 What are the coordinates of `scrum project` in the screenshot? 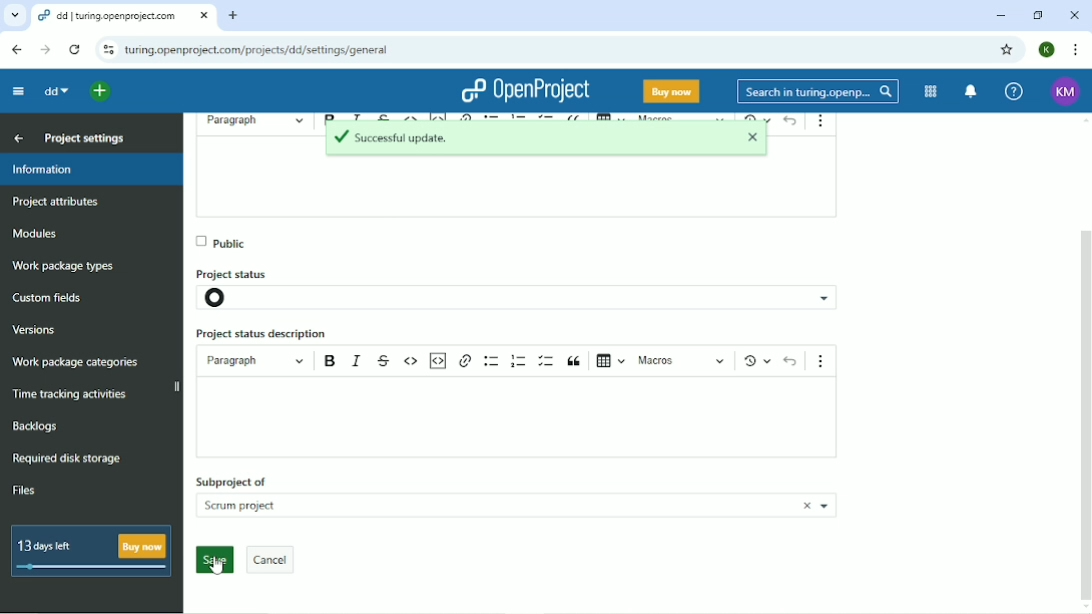 It's located at (463, 507).